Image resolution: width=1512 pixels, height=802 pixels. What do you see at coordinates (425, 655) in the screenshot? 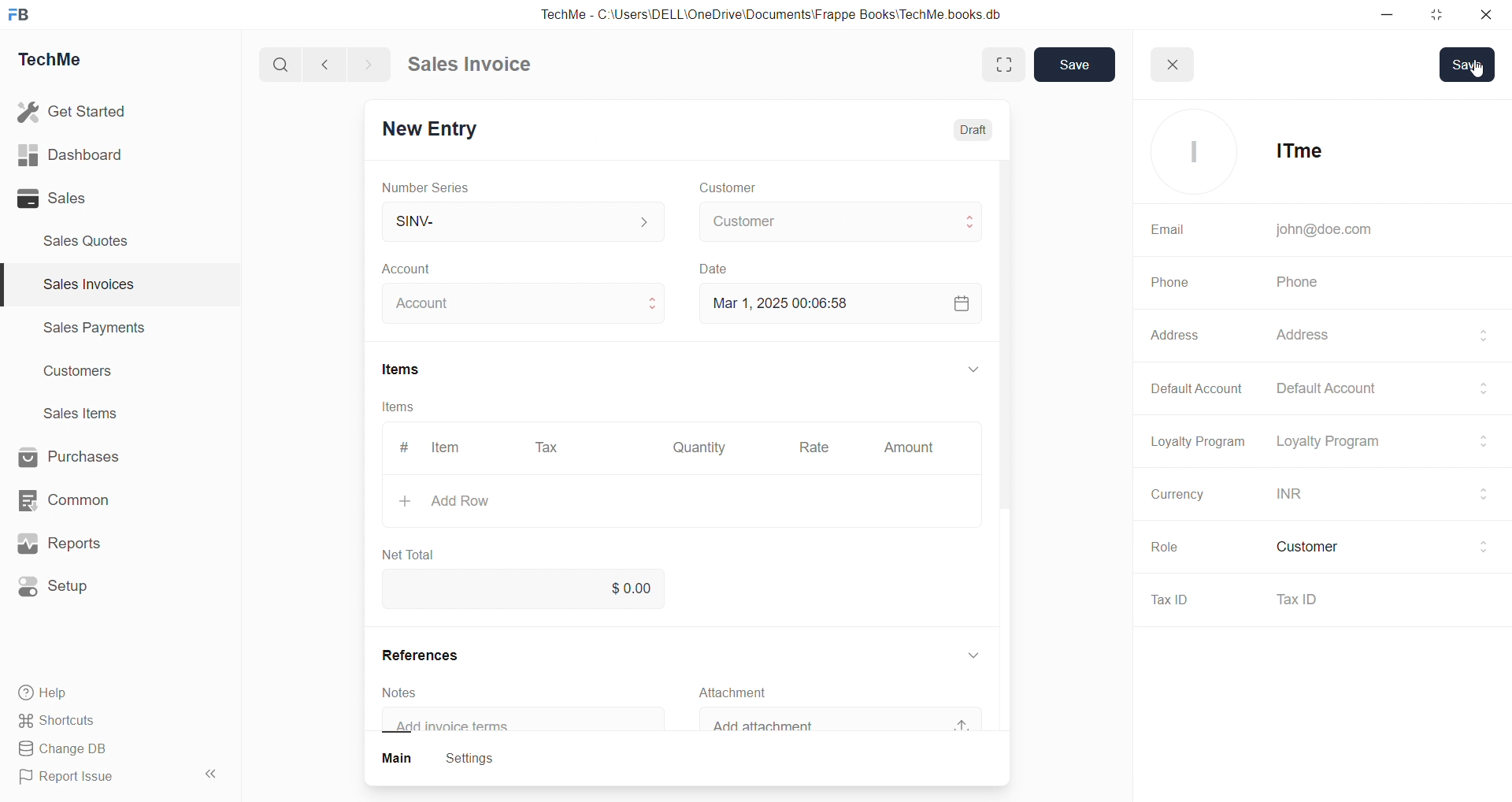
I see `References` at bounding box center [425, 655].